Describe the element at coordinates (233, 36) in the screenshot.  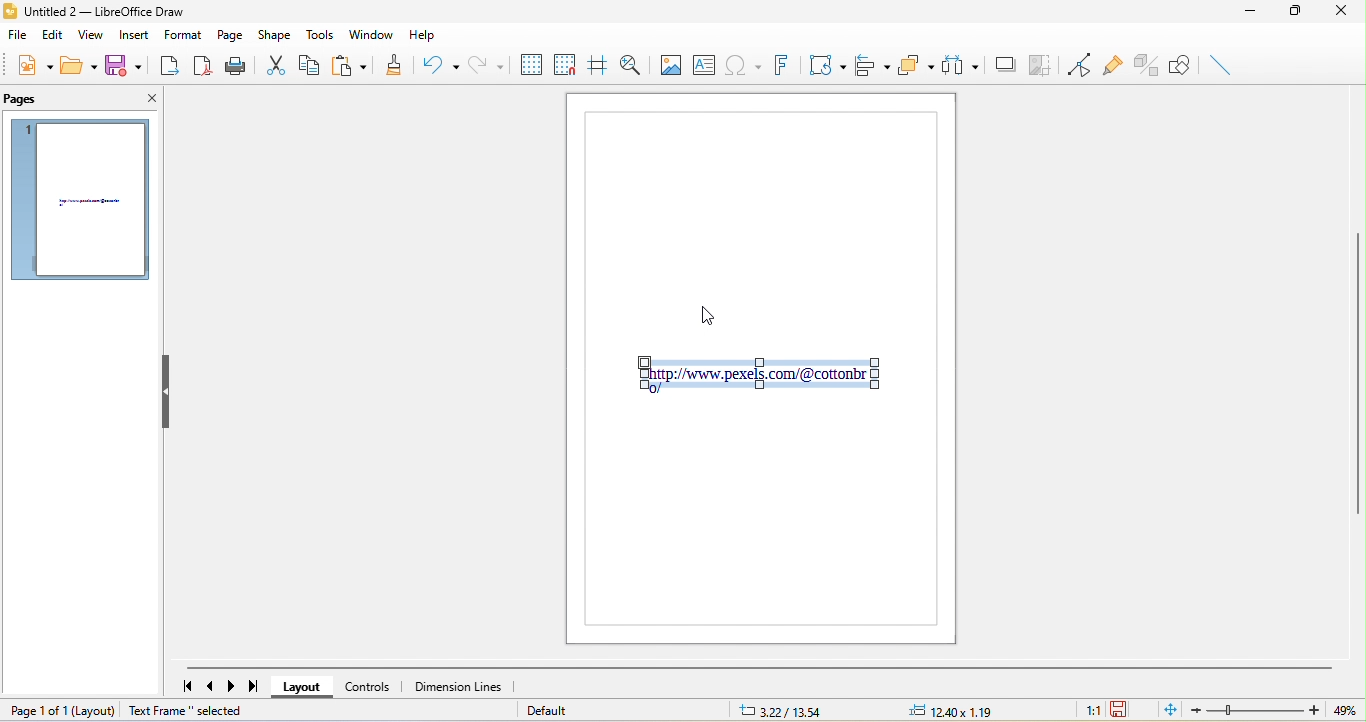
I see `page` at that location.